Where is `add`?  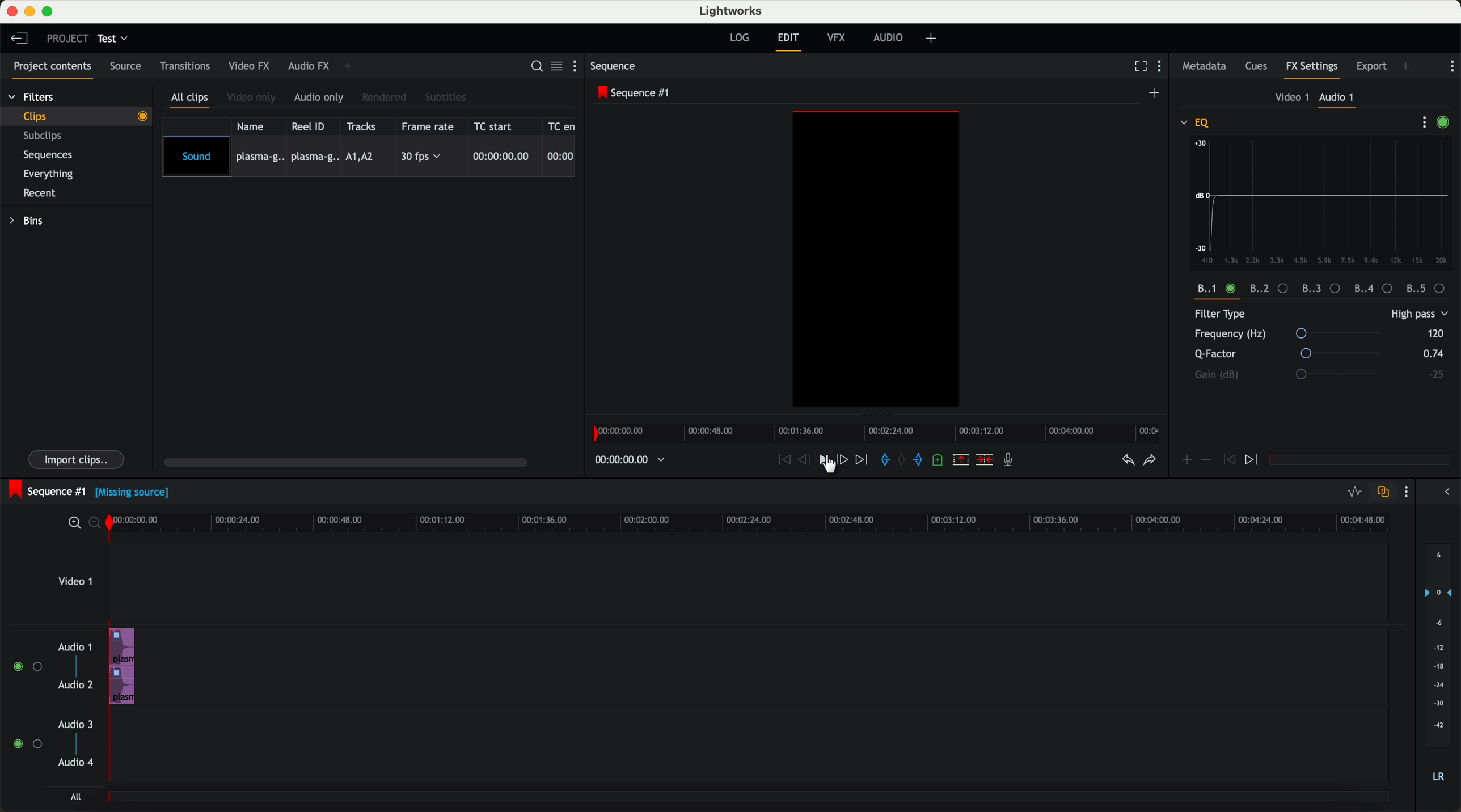 add is located at coordinates (1407, 66).